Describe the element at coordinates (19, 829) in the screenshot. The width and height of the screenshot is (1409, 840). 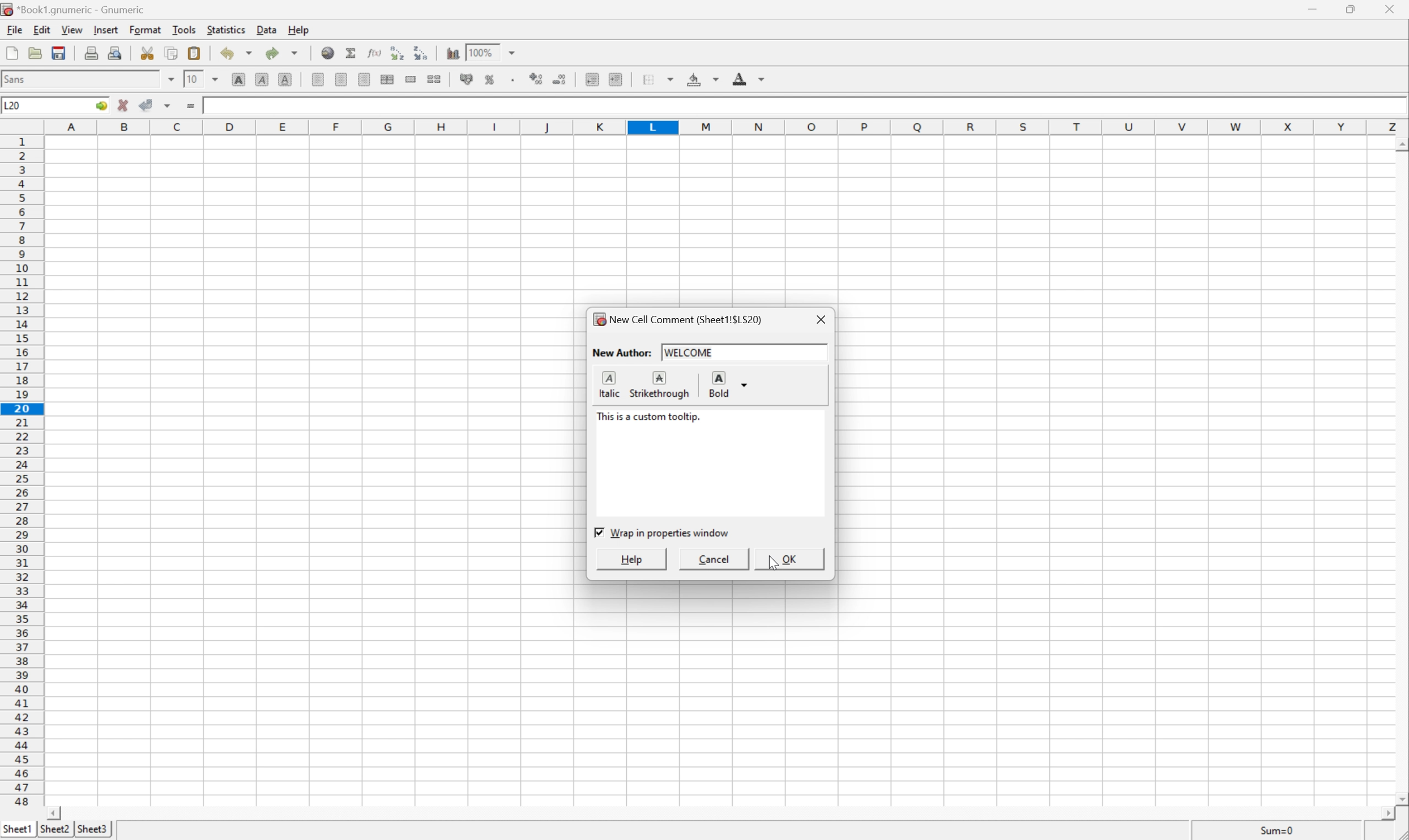
I see `Sheet1` at that location.